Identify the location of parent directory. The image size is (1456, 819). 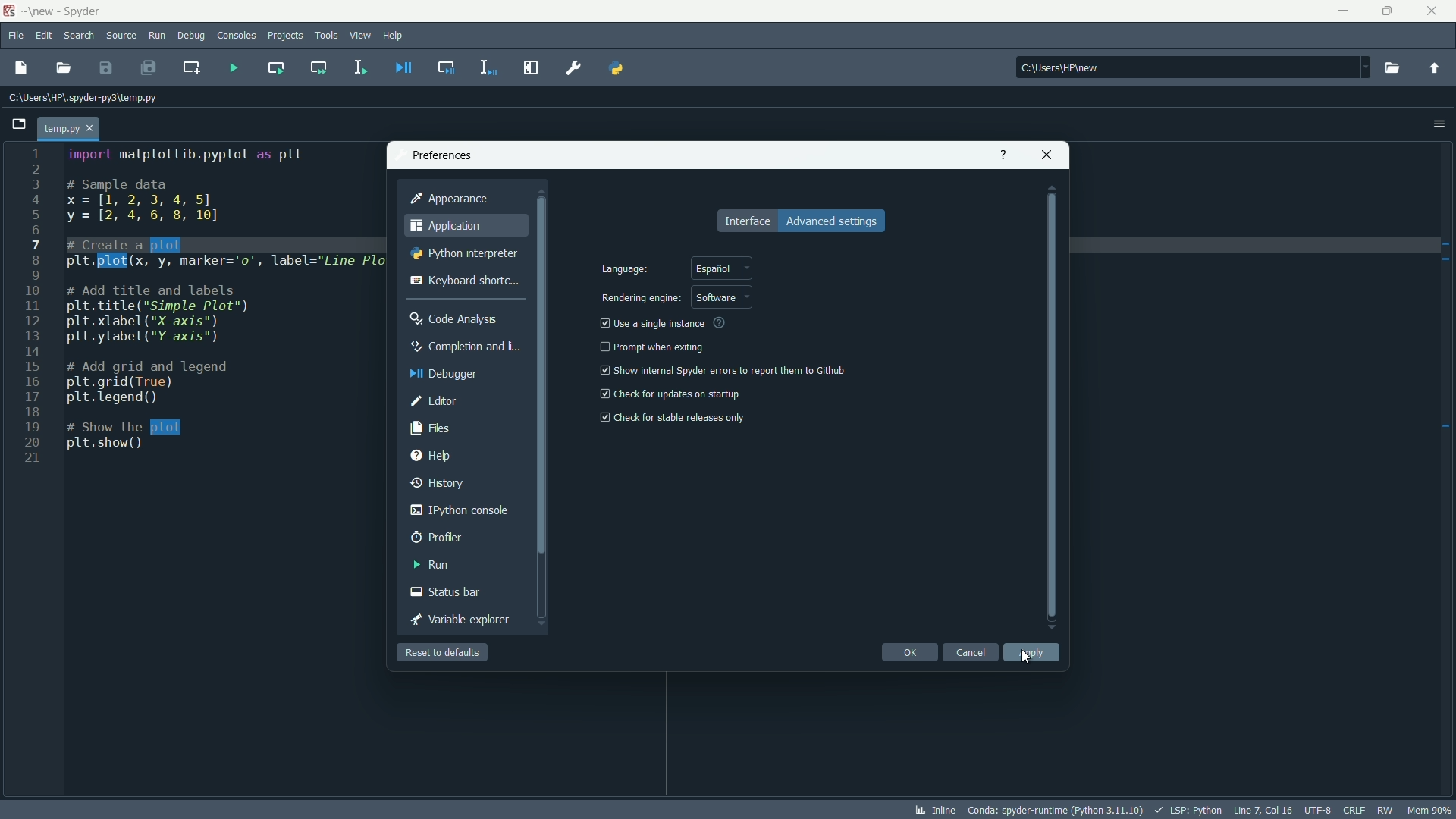
(1435, 69).